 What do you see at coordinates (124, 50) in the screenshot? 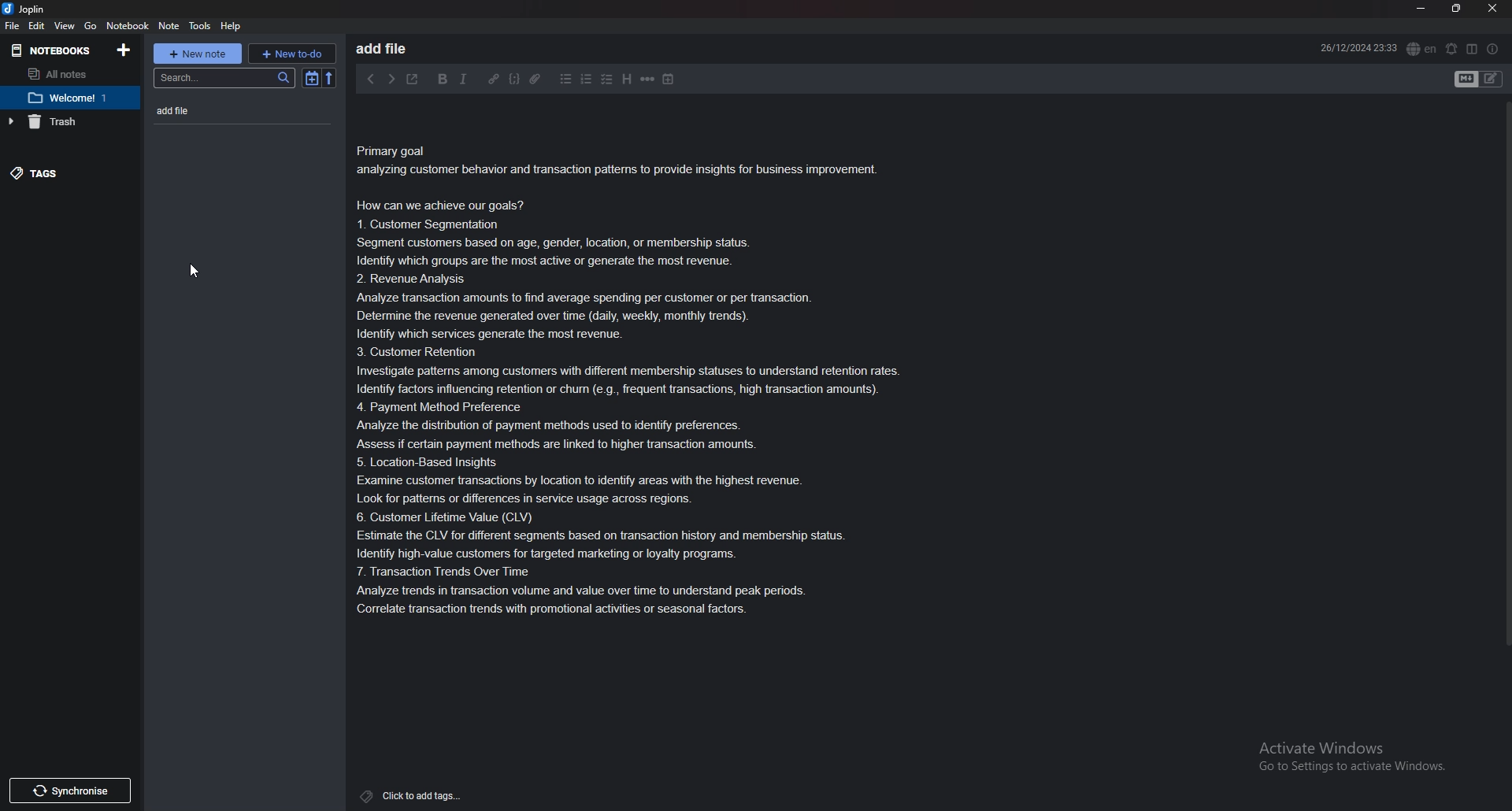
I see `Add notebooks` at bounding box center [124, 50].